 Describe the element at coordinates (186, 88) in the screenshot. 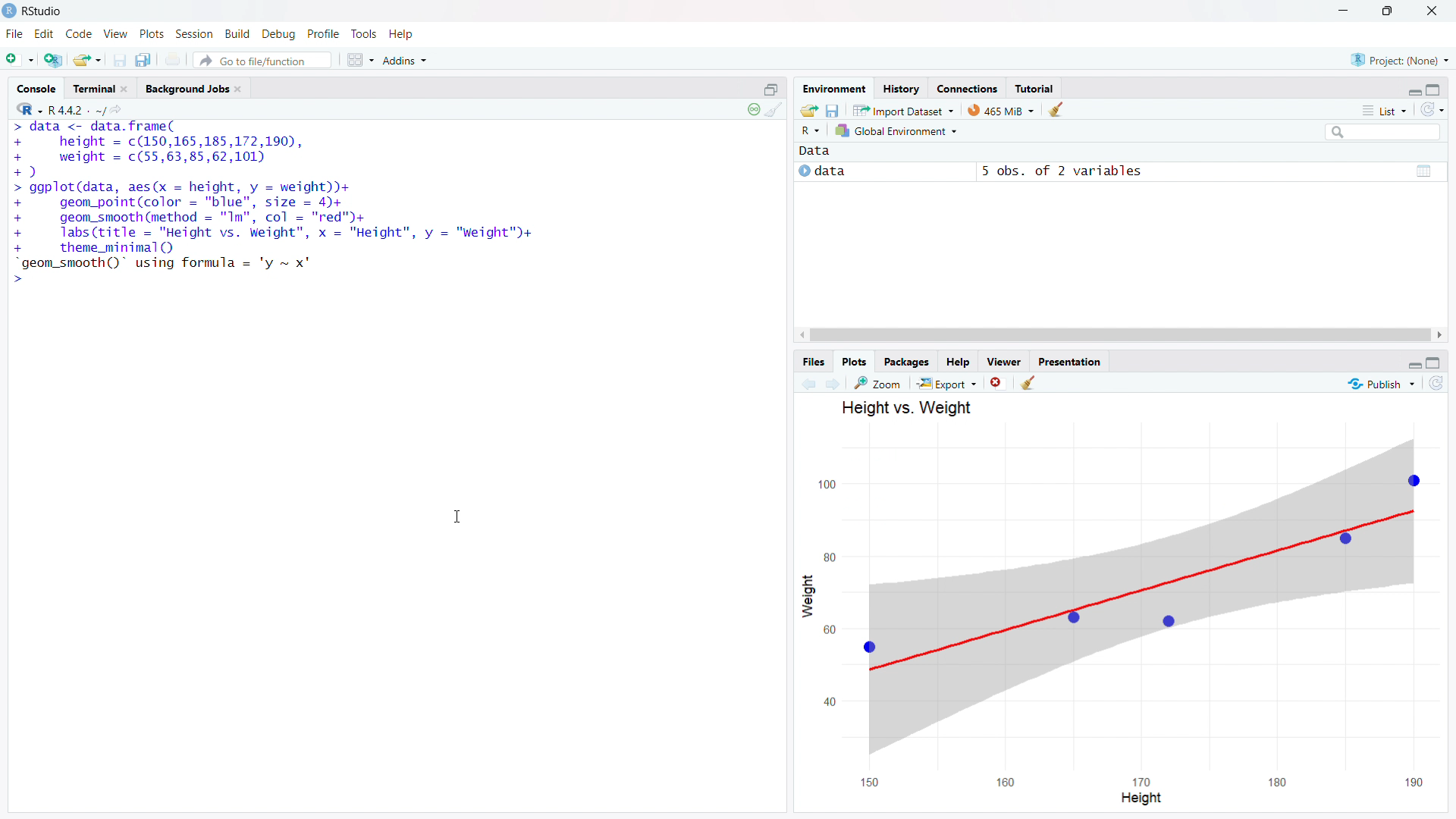

I see `background jobs` at that location.